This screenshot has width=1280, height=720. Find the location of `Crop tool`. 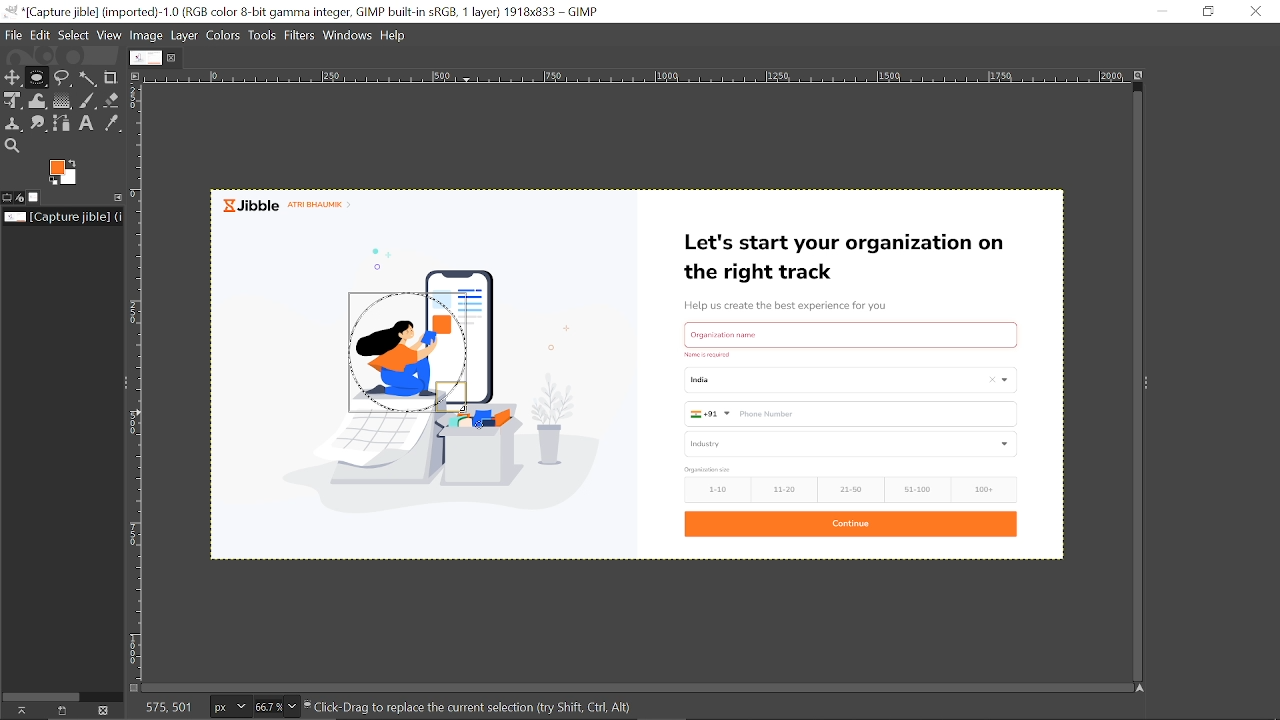

Crop tool is located at coordinates (112, 77).